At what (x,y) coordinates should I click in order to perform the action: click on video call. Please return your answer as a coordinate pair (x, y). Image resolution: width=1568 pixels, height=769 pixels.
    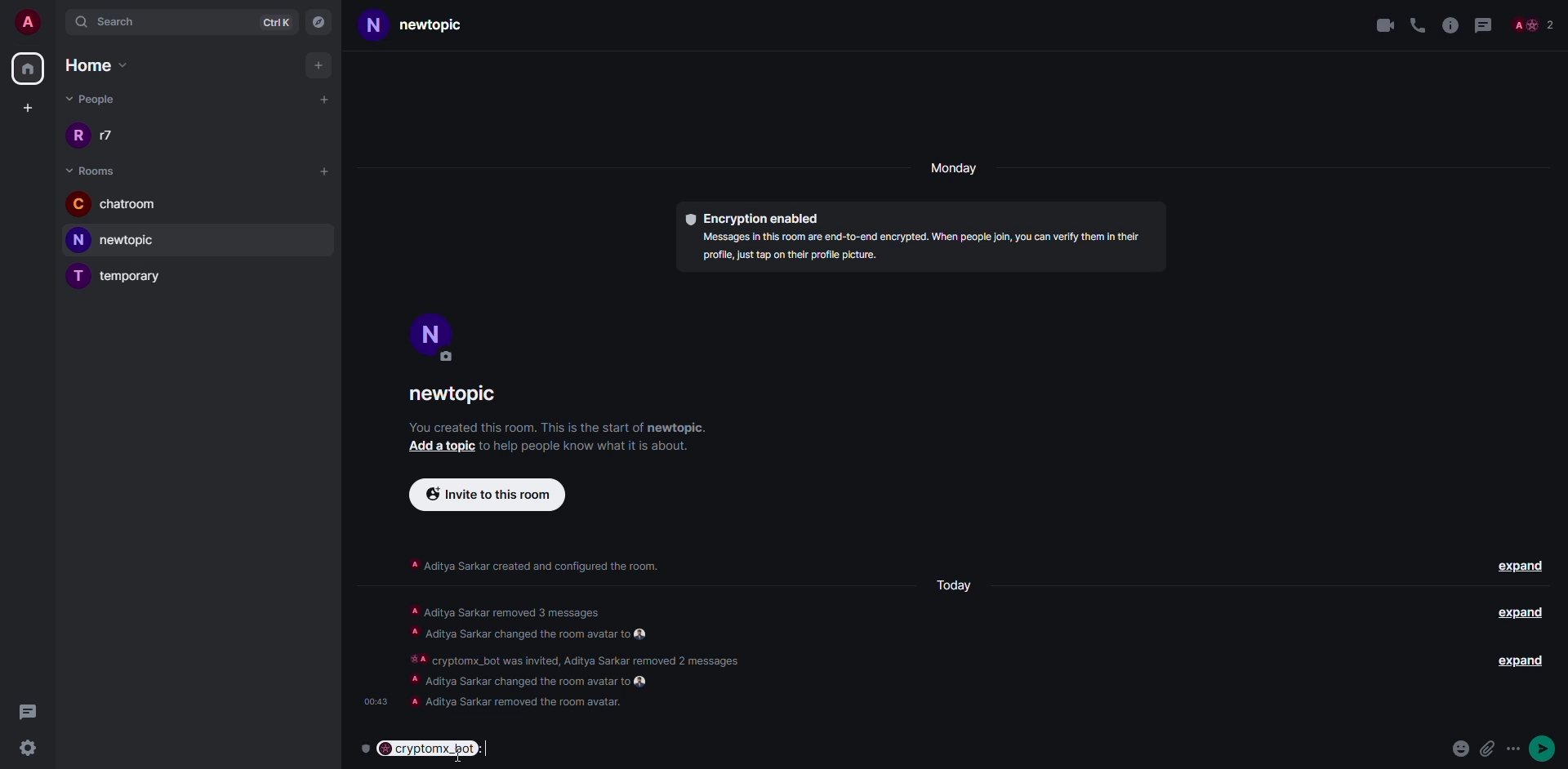
    Looking at the image, I should click on (1383, 24).